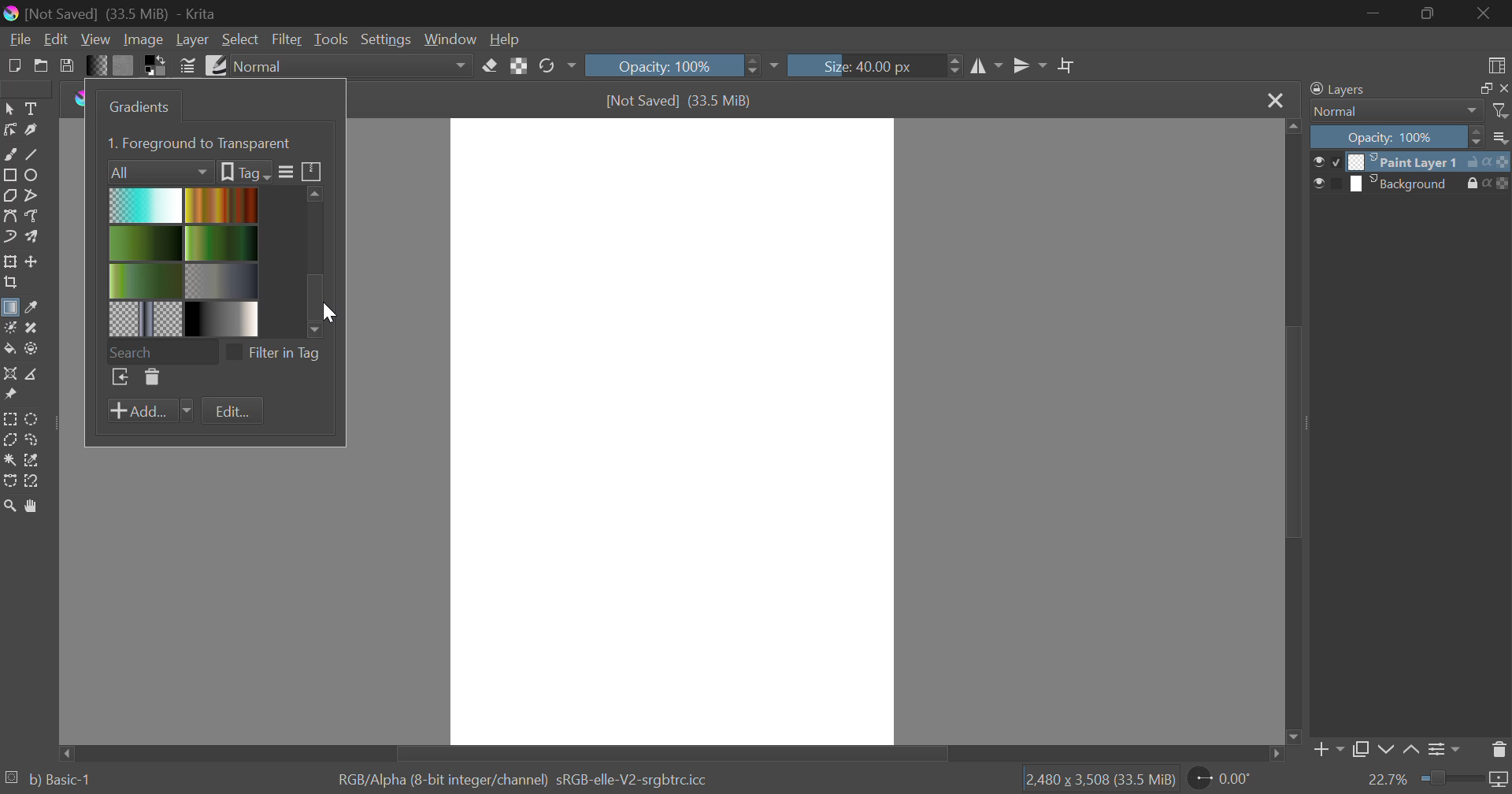  Describe the element at coordinates (30, 506) in the screenshot. I see `Pan` at that location.